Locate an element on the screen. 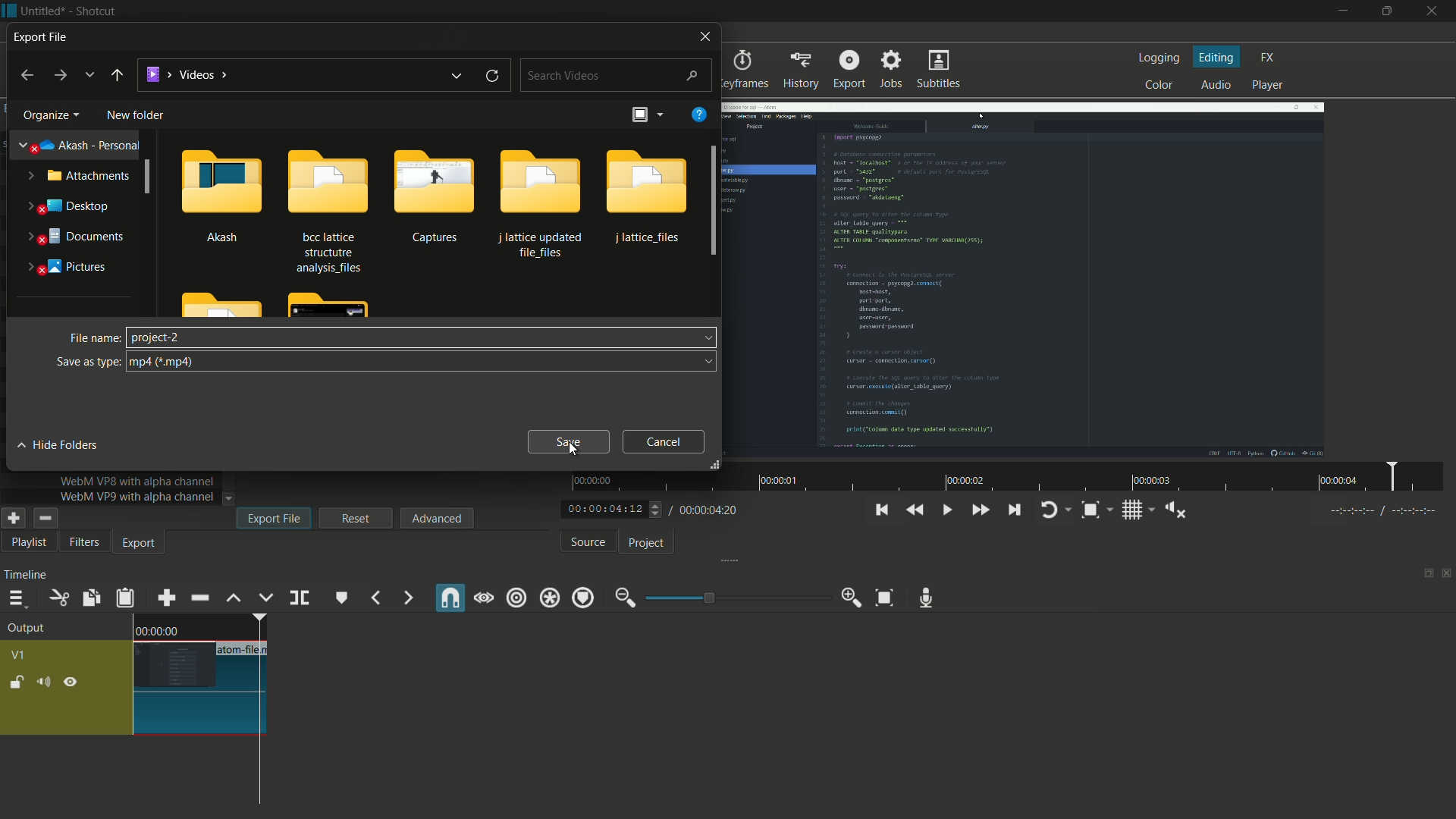  zoom in is located at coordinates (852, 598).